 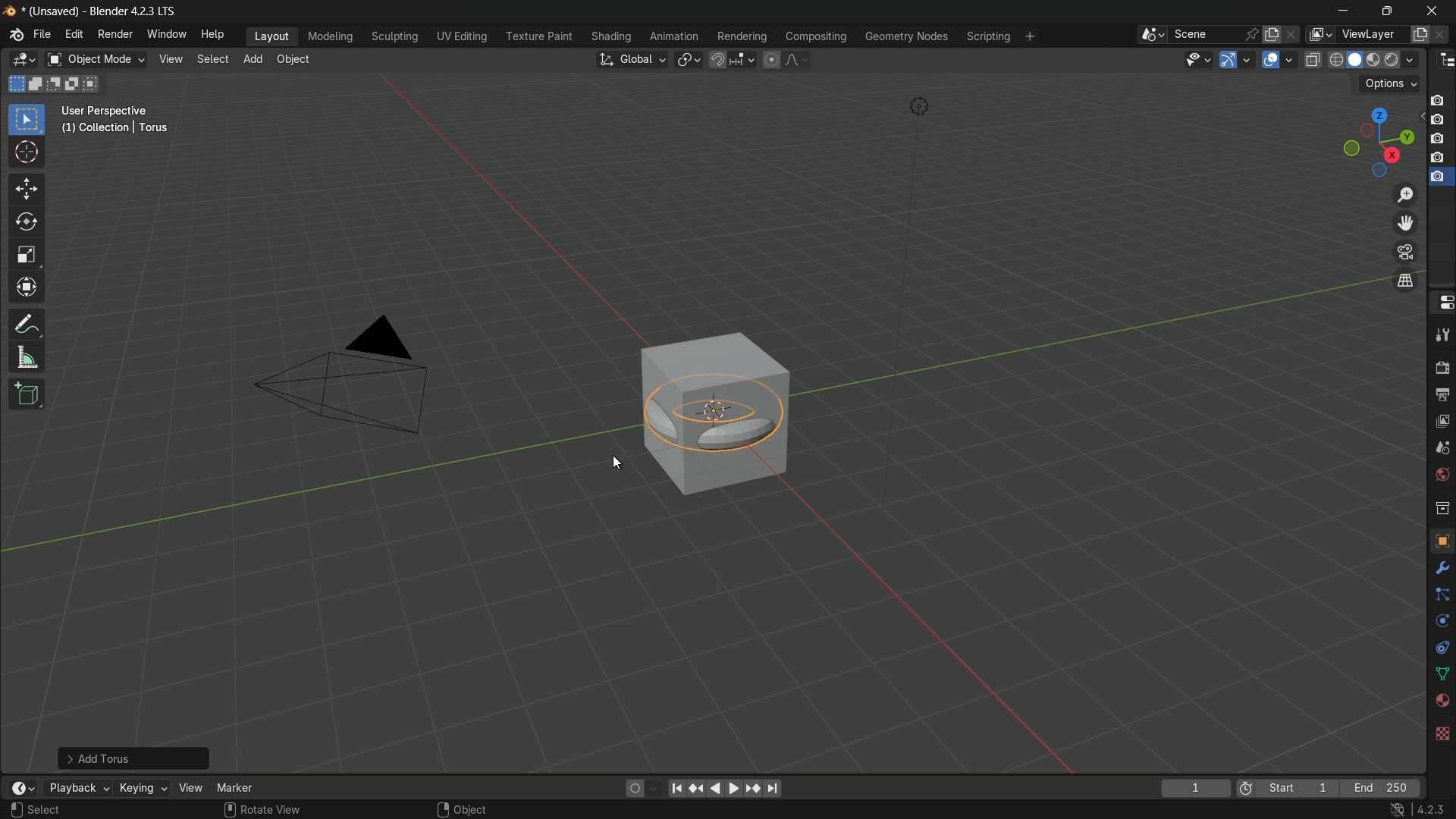 What do you see at coordinates (1442, 424) in the screenshot?
I see `view` at bounding box center [1442, 424].